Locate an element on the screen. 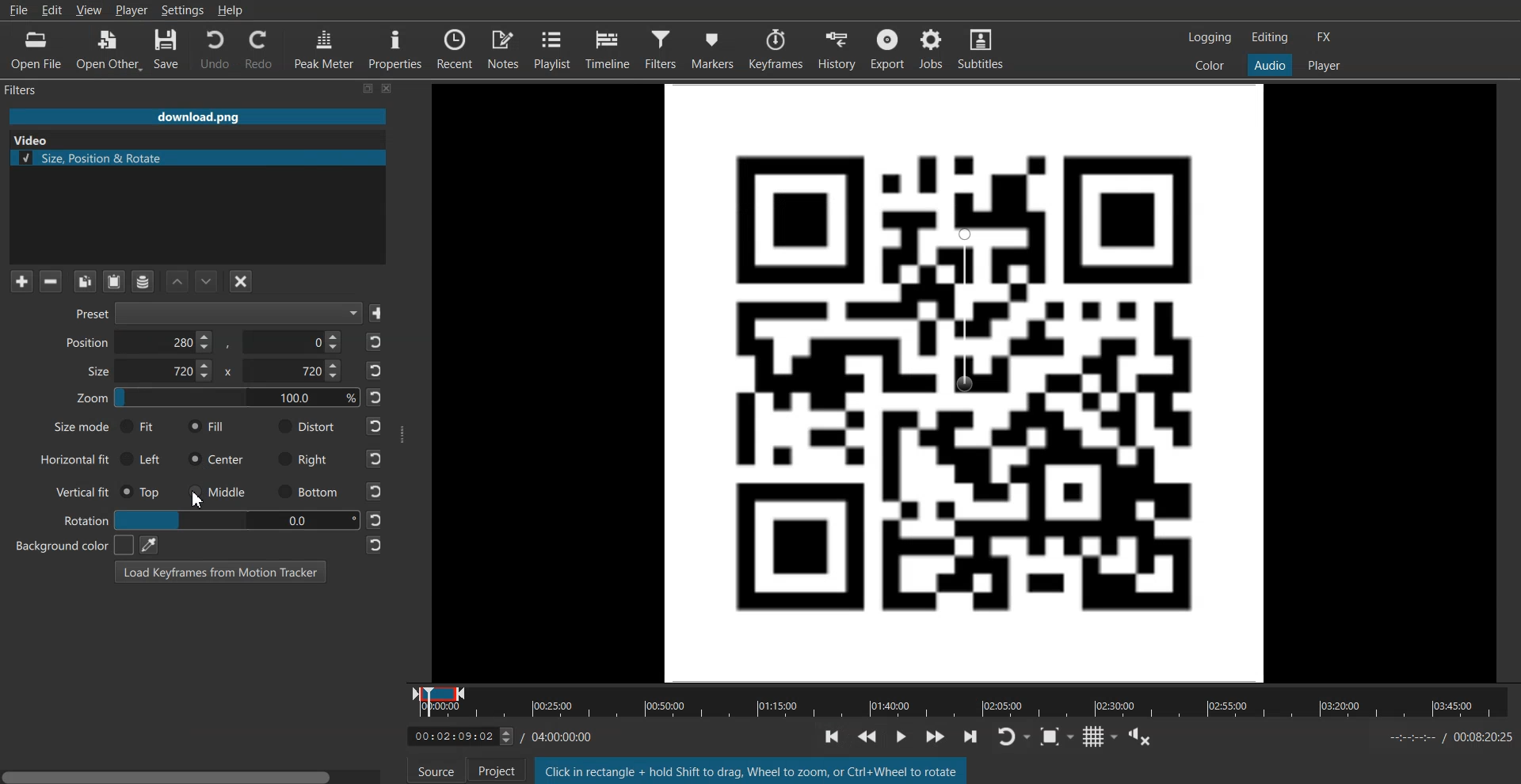 This screenshot has height=784, width=1521. Move filter up is located at coordinates (177, 281).